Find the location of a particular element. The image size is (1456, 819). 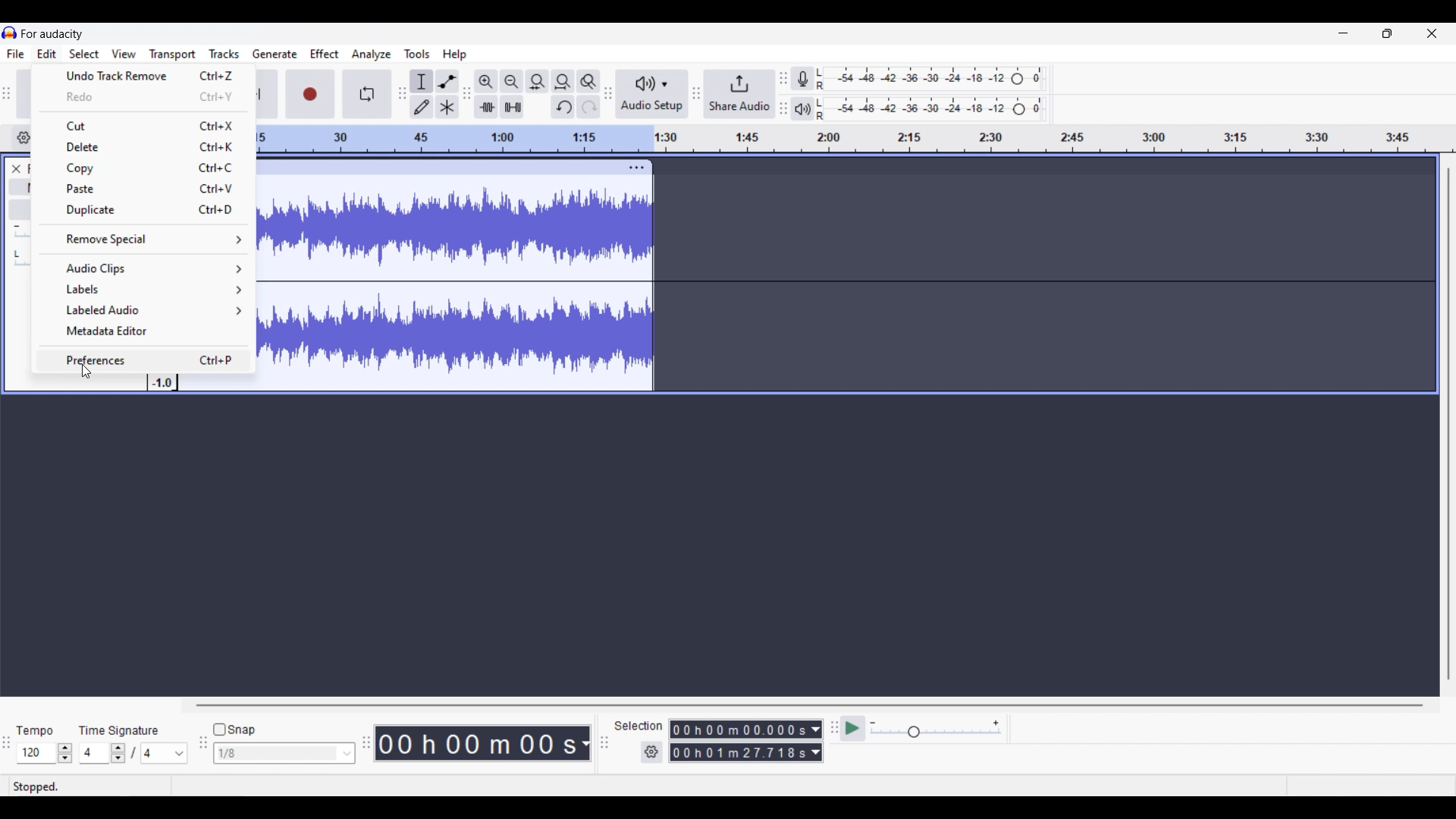

Vertical slide bar is located at coordinates (1448, 425).